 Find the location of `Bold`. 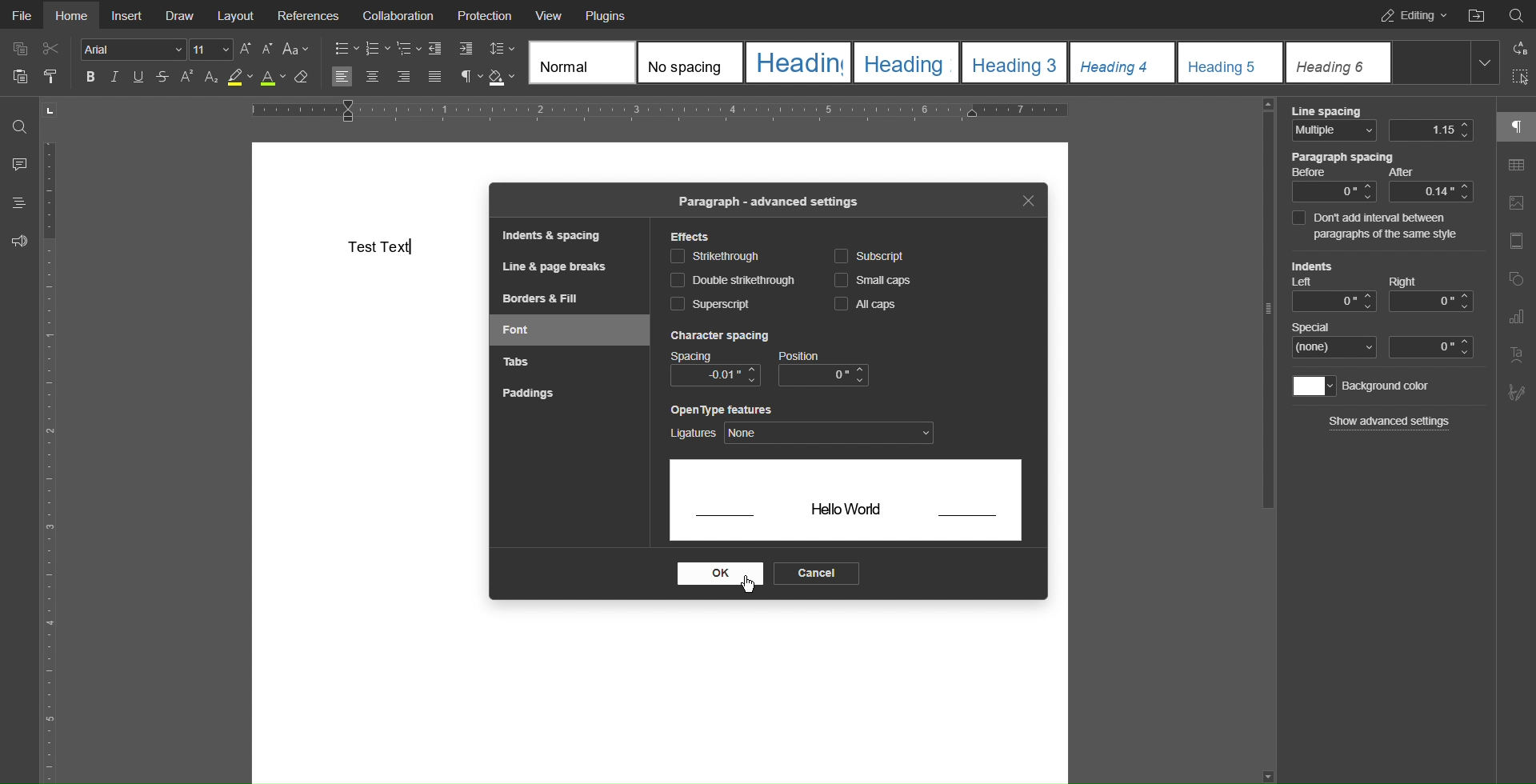

Bold is located at coordinates (93, 77).